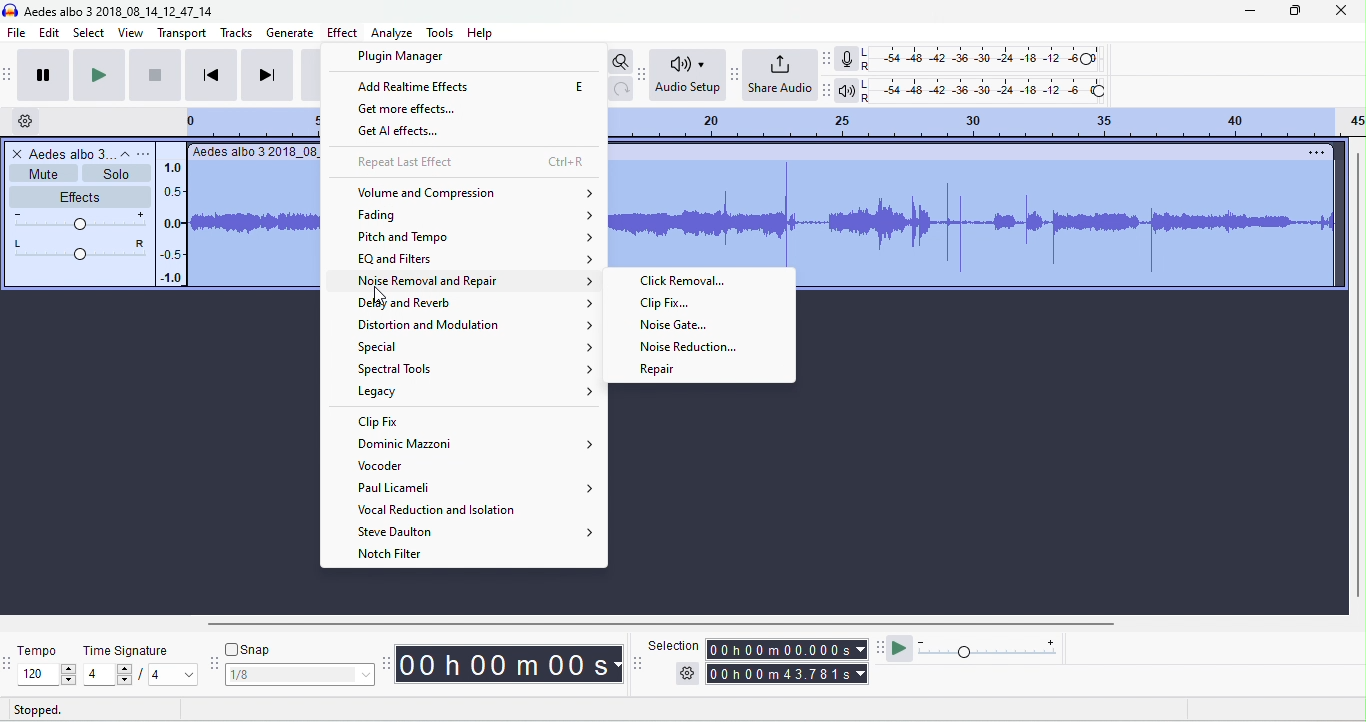 This screenshot has width=1366, height=722. What do you see at coordinates (79, 196) in the screenshot?
I see `effects` at bounding box center [79, 196].